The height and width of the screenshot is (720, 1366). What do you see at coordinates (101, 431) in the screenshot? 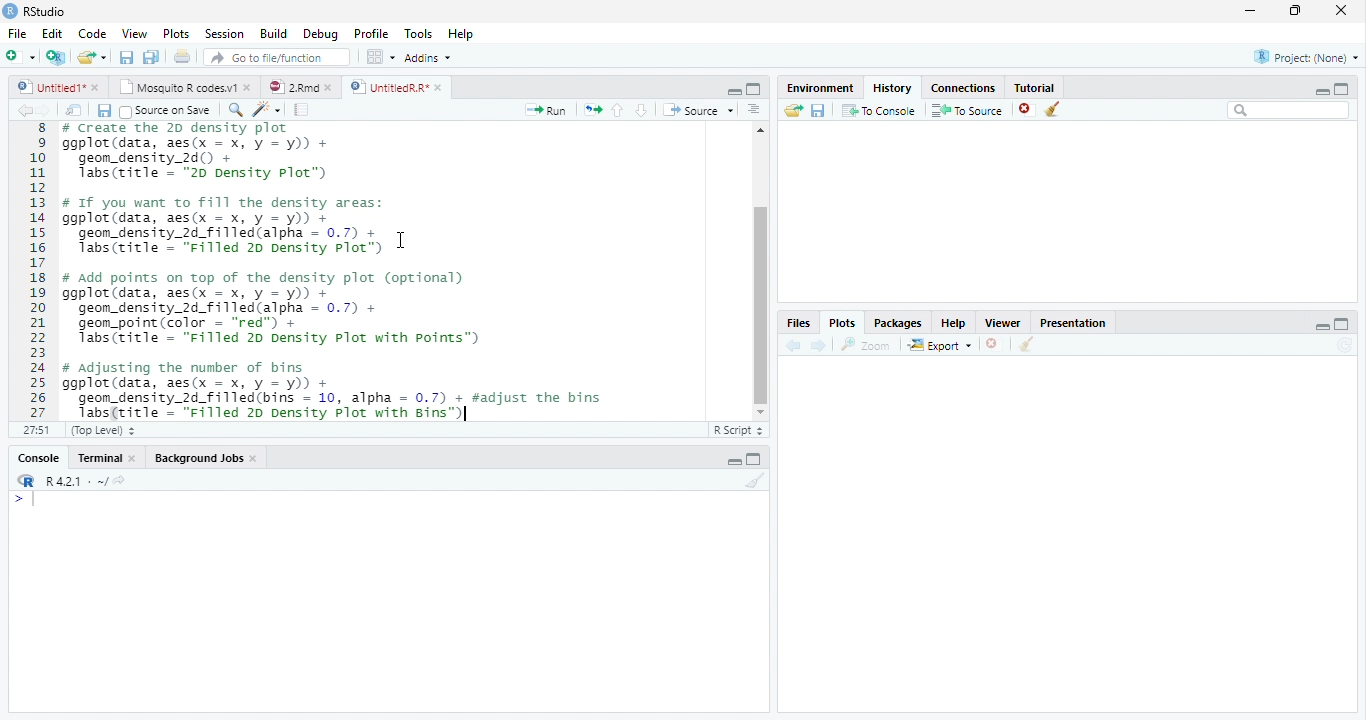
I see `(Top Level)` at bounding box center [101, 431].